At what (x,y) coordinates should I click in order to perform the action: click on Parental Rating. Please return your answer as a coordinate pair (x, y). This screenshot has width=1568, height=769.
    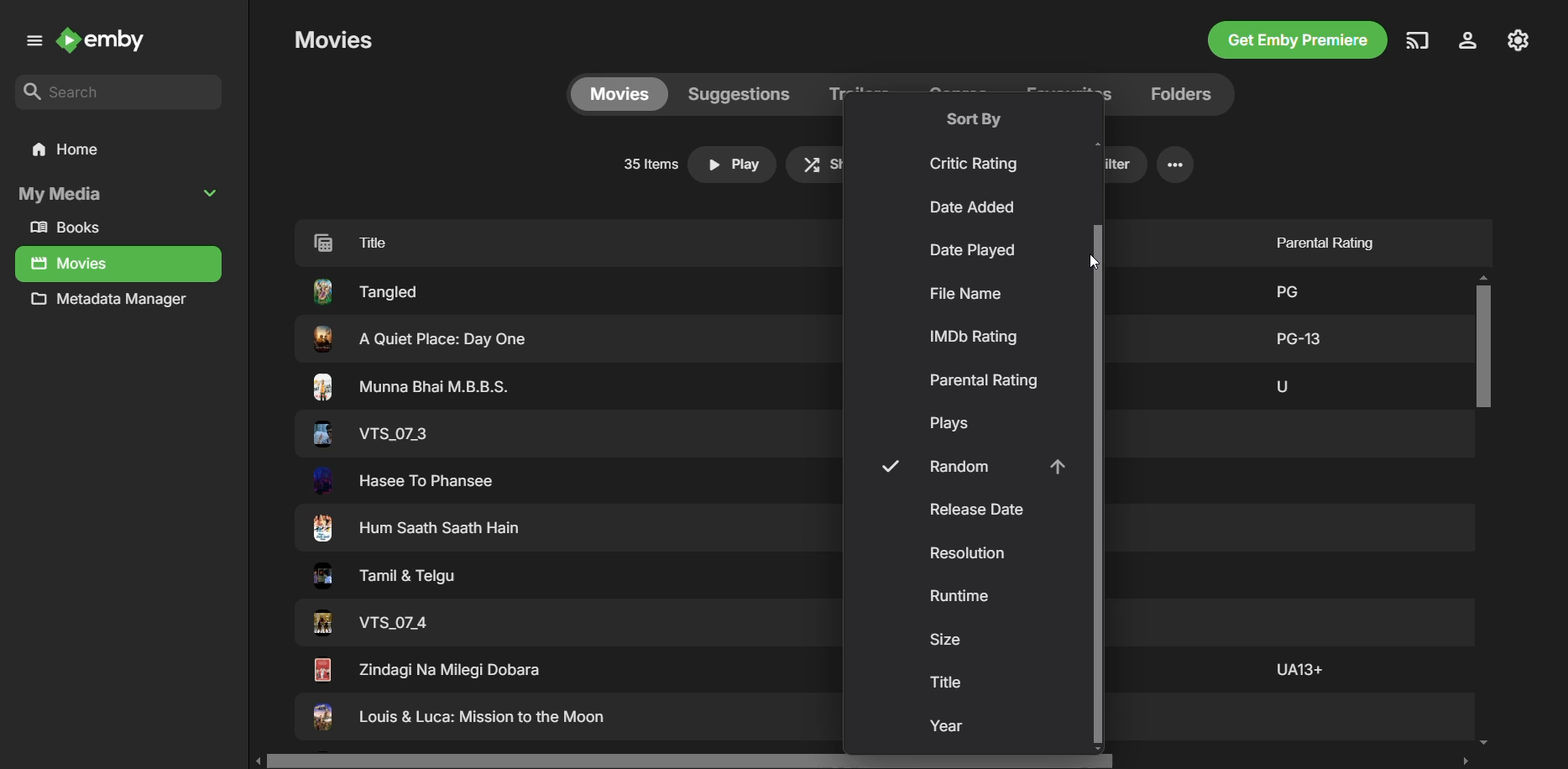
    Looking at the image, I should click on (1319, 238).